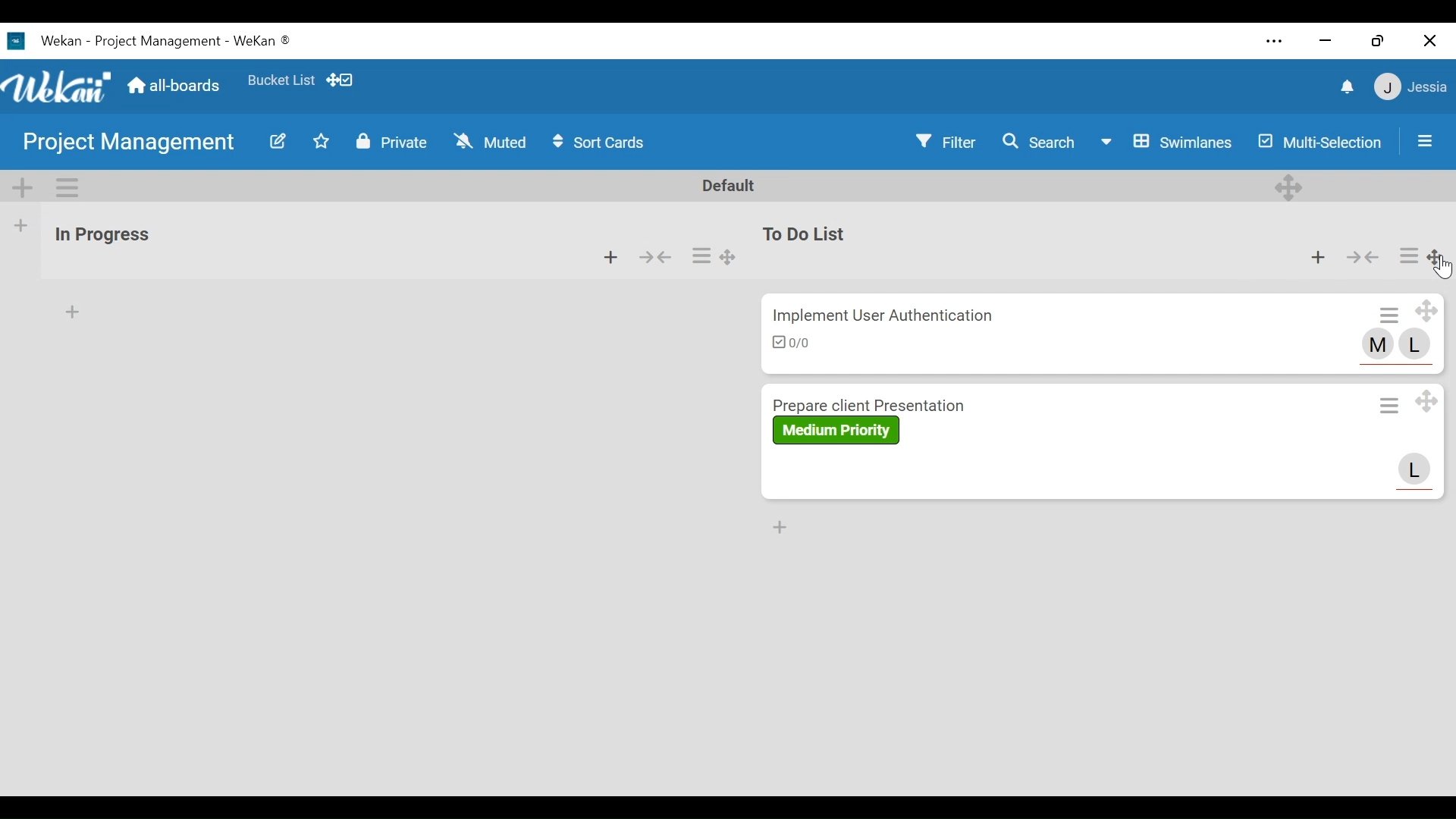  Describe the element at coordinates (280, 80) in the screenshot. I see `Favorite` at that location.